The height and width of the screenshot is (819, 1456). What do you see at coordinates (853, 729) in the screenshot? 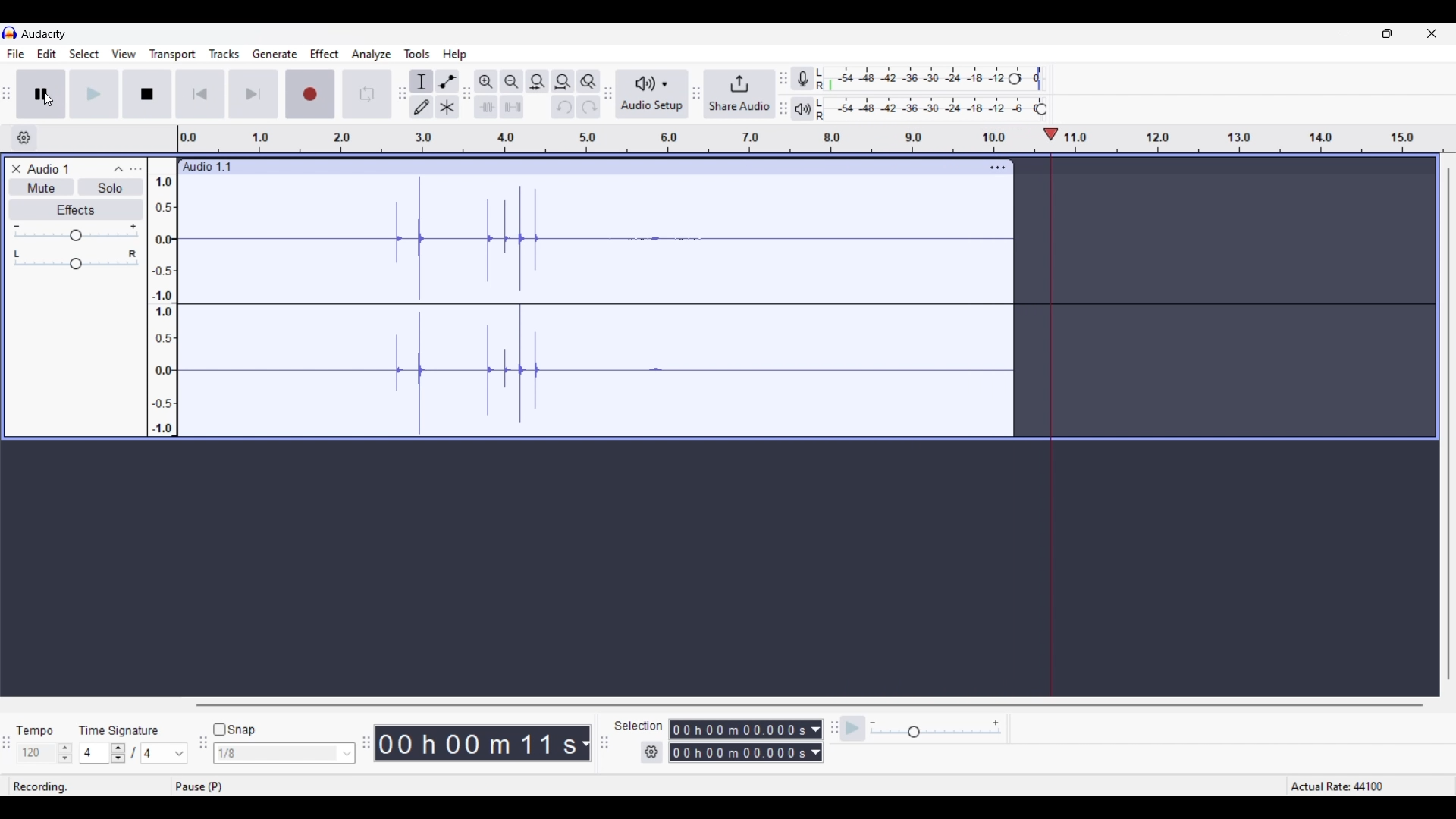
I see `Play-at-speed/Play-at-speed once` at bounding box center [853, 729].